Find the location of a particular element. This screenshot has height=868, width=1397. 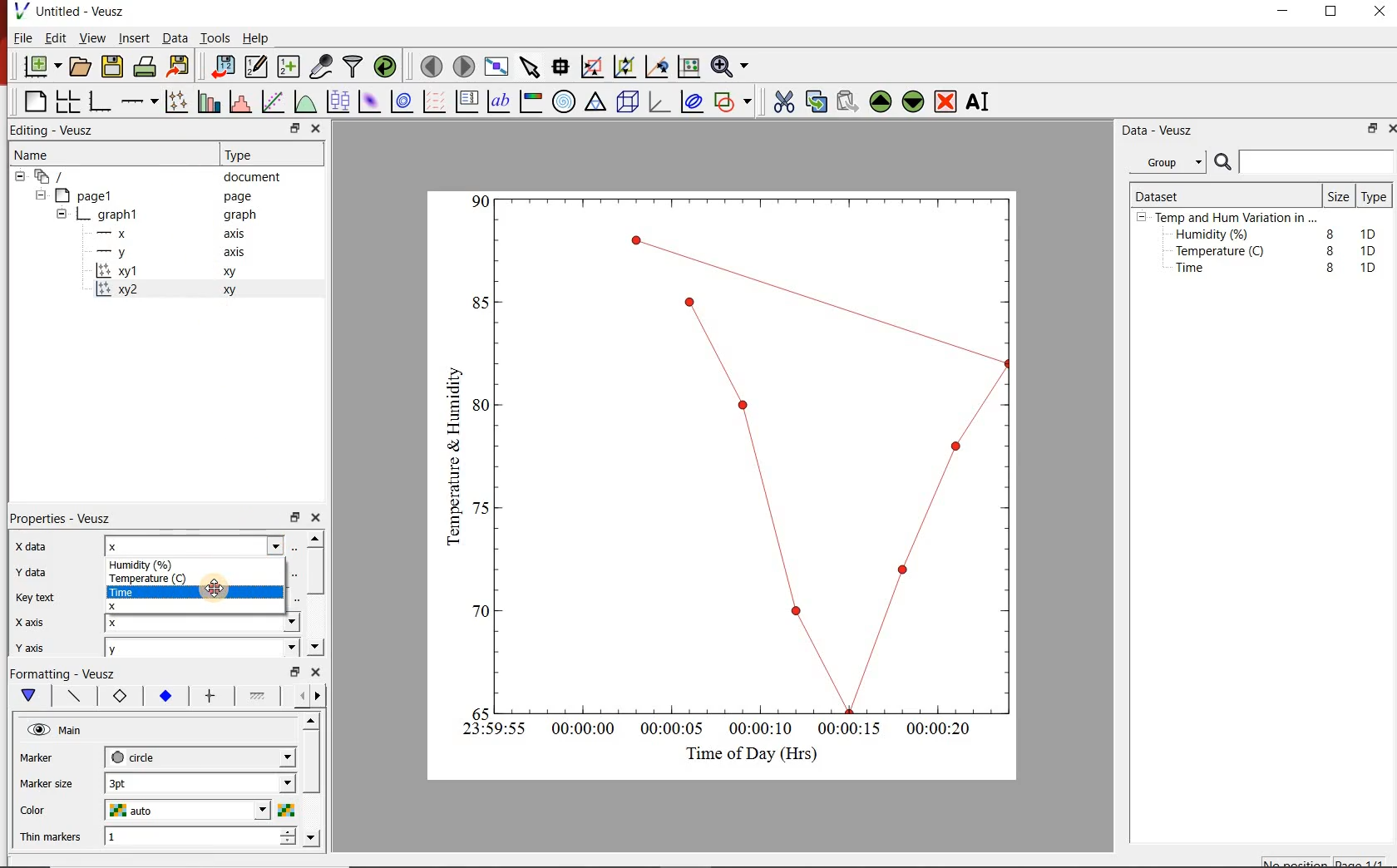

Formatting - Veusz is located at coordinates (67, 675).